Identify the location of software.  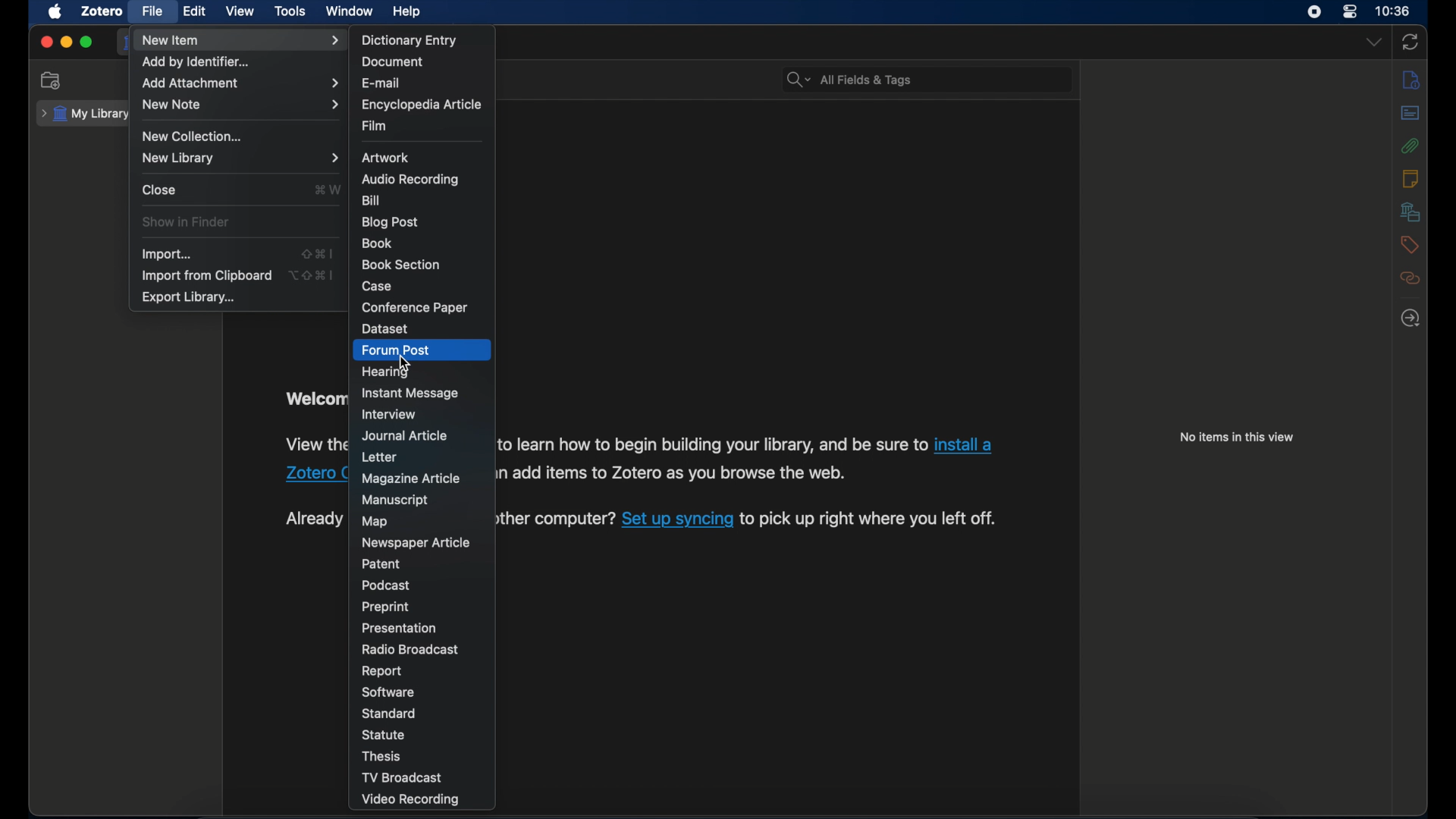
(388, 692).